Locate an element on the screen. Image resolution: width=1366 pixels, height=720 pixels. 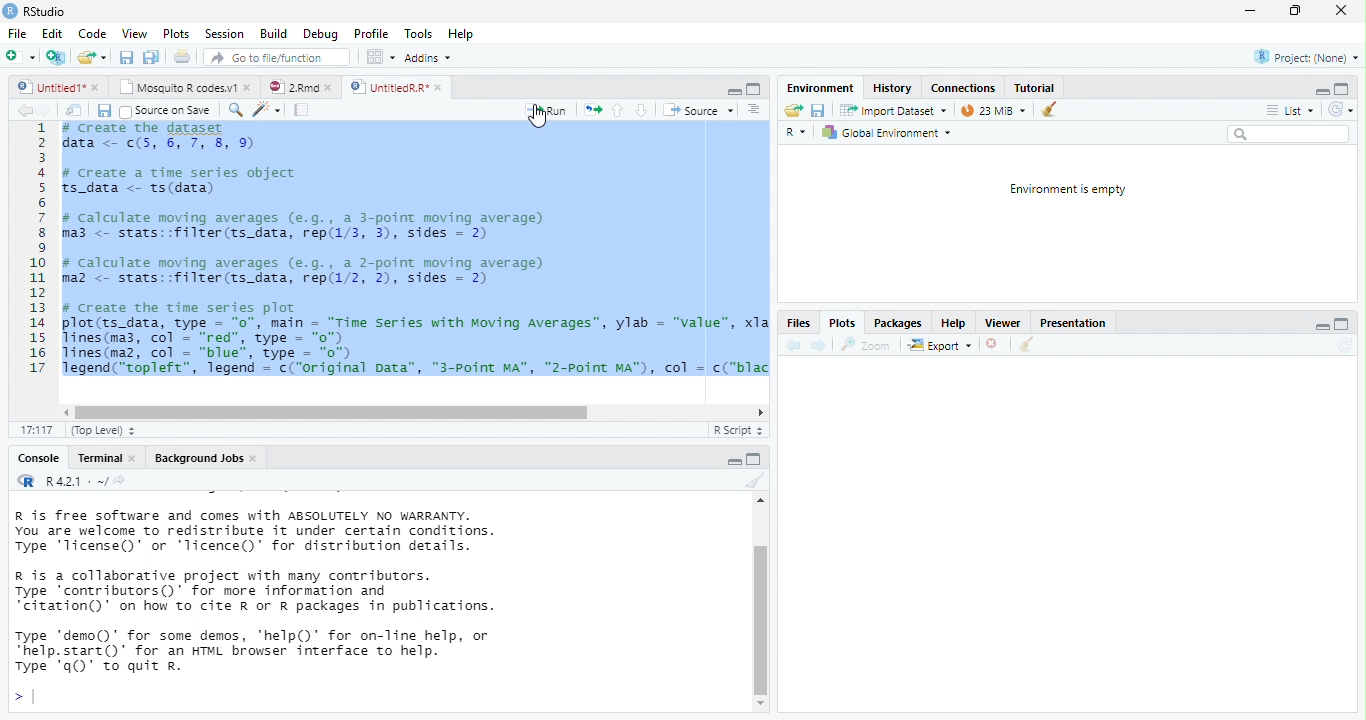
scrollbar left is located at coordinates (63, 412).